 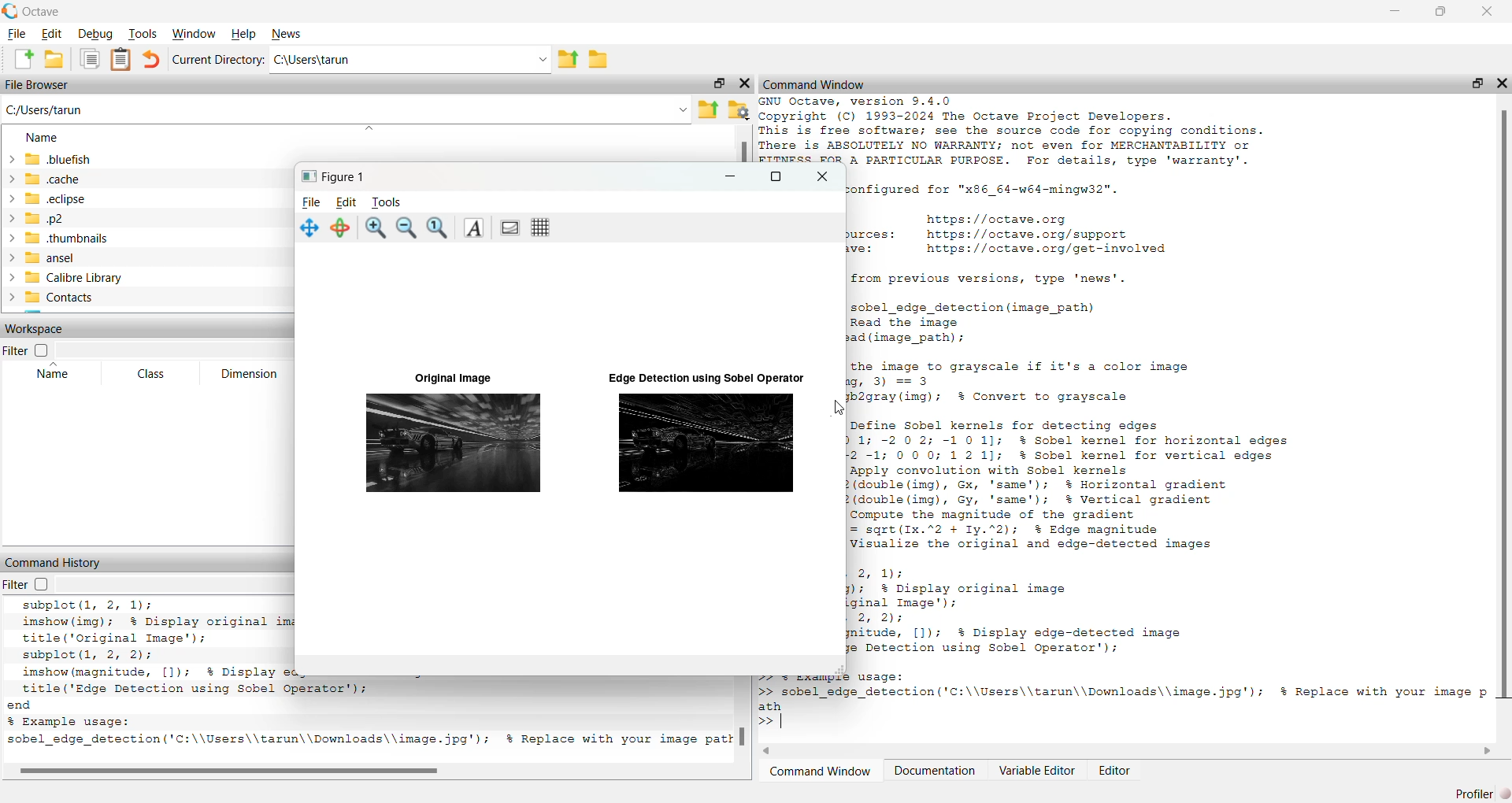 I want to click on imshow (img); $ Display original image
title('Original Image’);
subplot (1, 2, 2):
imshow (magnitude, [1); % Display edge-detected image
title('Edge Detection using Sobel Operator’);
ond
+ Example usage:
sobel_edge_detection('C:\\Users\\tarun\\Downloads\\image.jpg'); % Replace with your image path
# Octave 9.4.0, Wed Feb 26 11:31:15 2025 GMT <unknown@Richie_ rich>, so click(x=153, y=673).